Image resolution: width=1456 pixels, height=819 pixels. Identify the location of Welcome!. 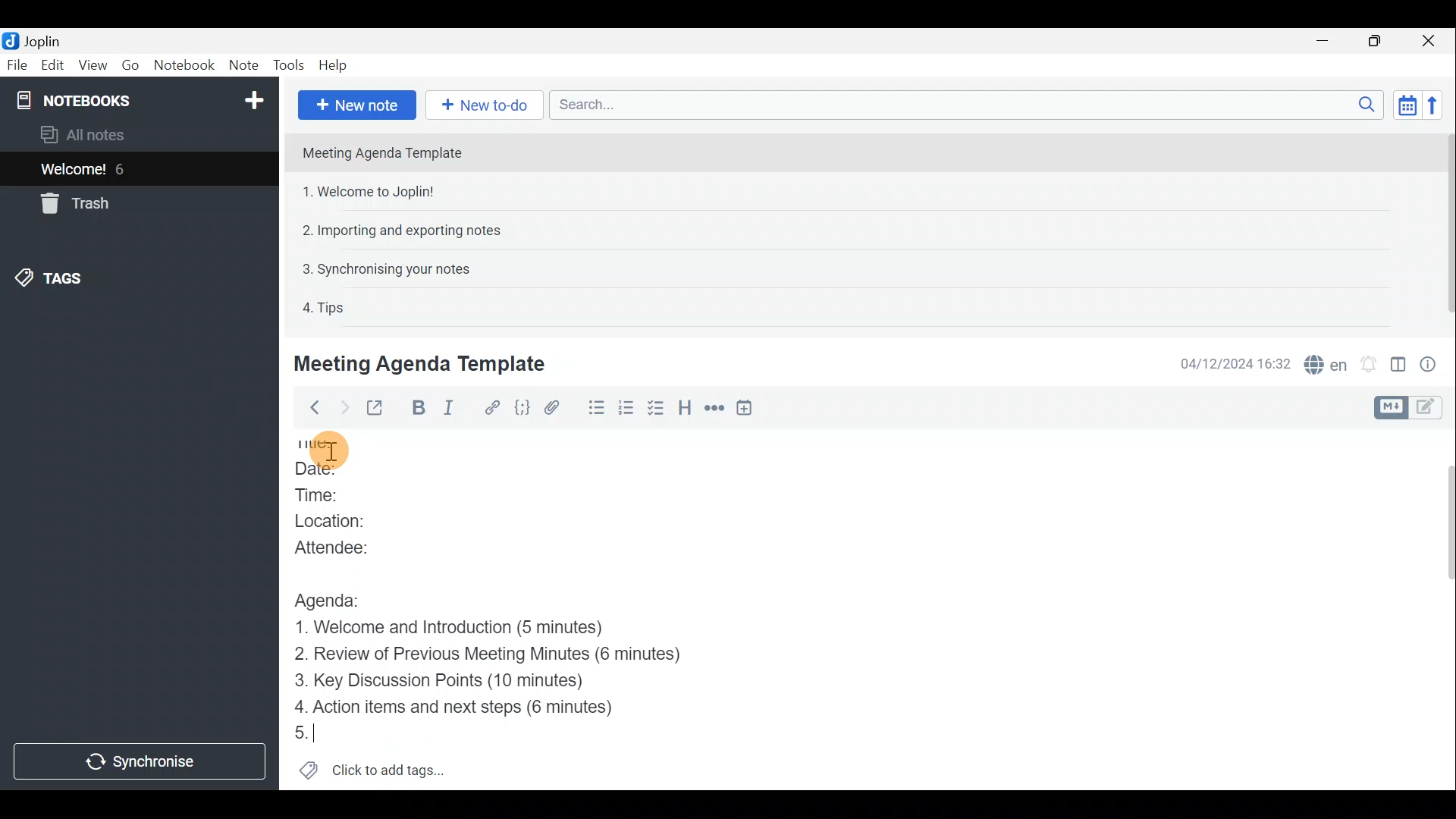
(74, 171).